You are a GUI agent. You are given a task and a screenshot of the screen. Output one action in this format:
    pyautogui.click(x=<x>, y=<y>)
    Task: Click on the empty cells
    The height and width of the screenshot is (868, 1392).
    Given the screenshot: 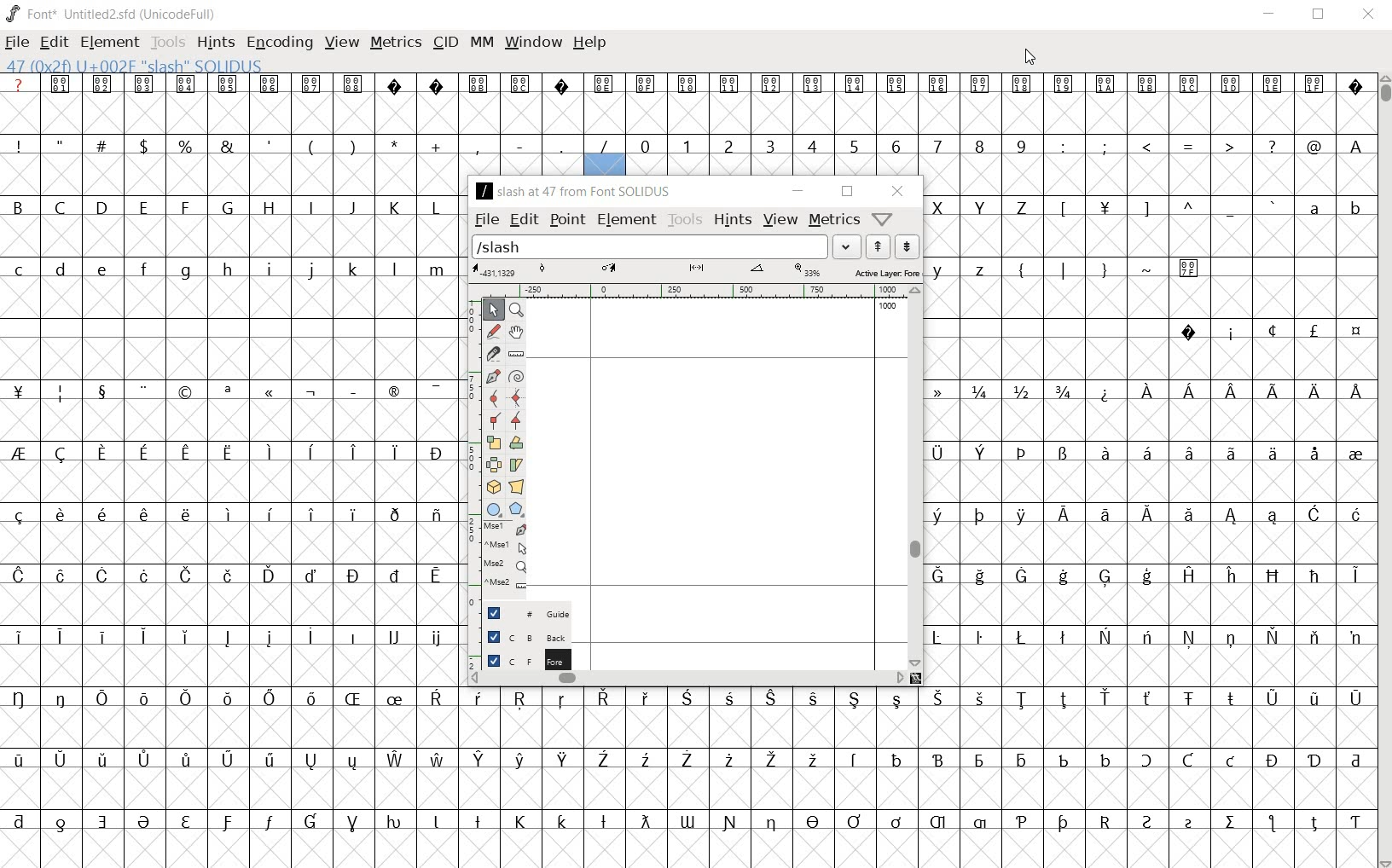 What is the action you would take?
    pyautogui.click(x=688, y=115)
    